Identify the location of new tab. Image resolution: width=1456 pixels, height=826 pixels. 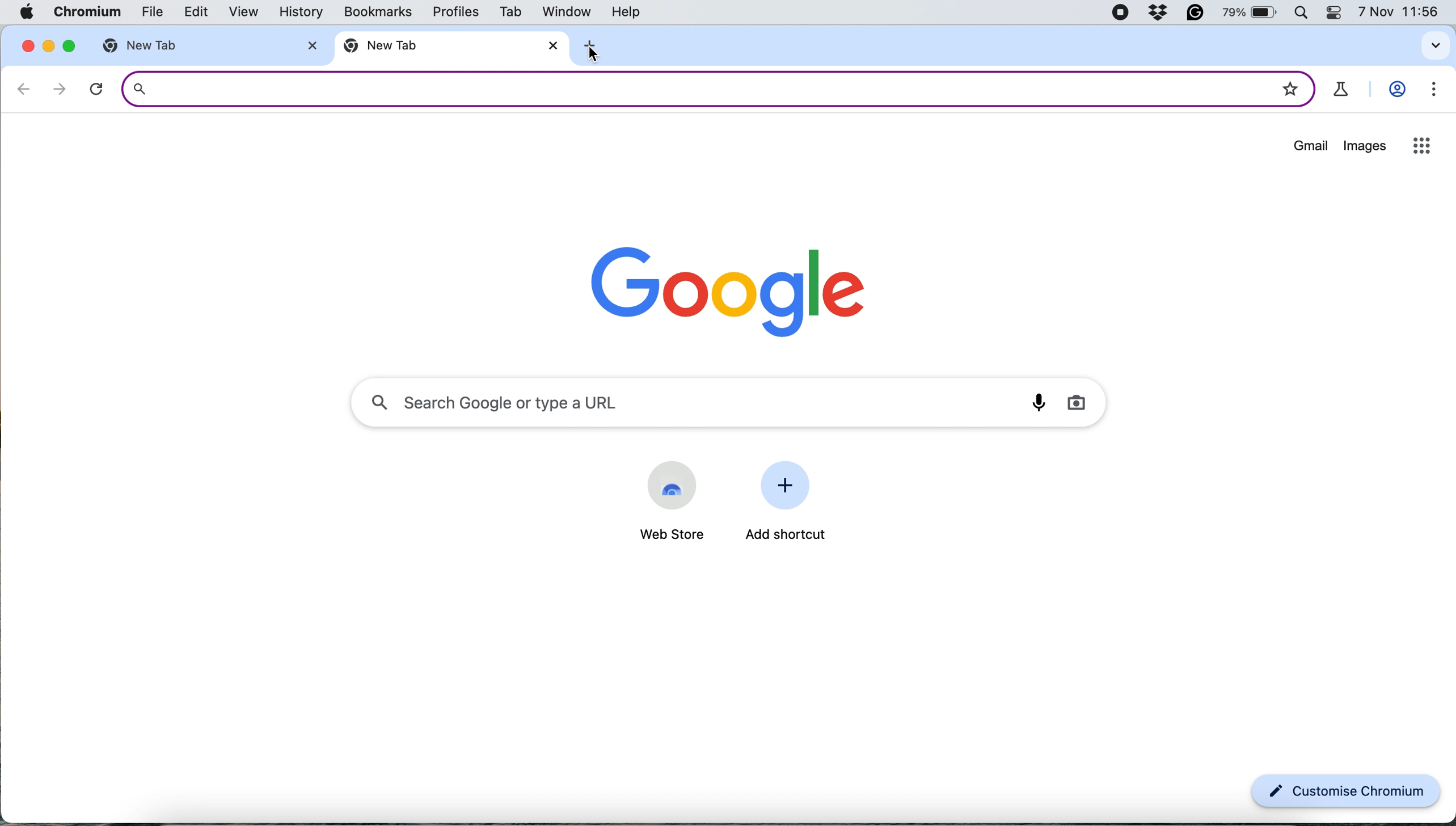
(434, 48).